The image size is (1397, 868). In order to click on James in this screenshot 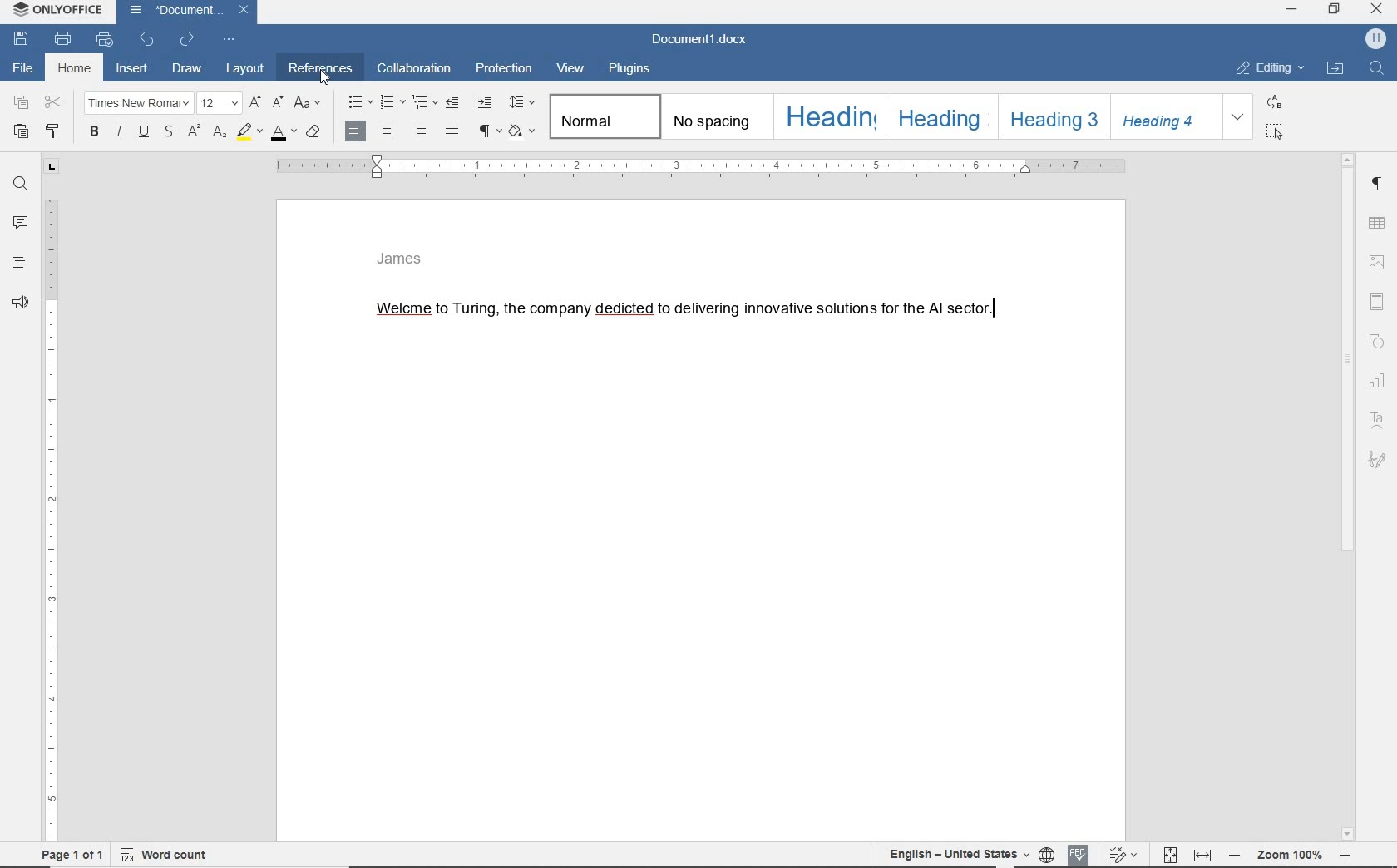, I will do `click(400, 260)`.